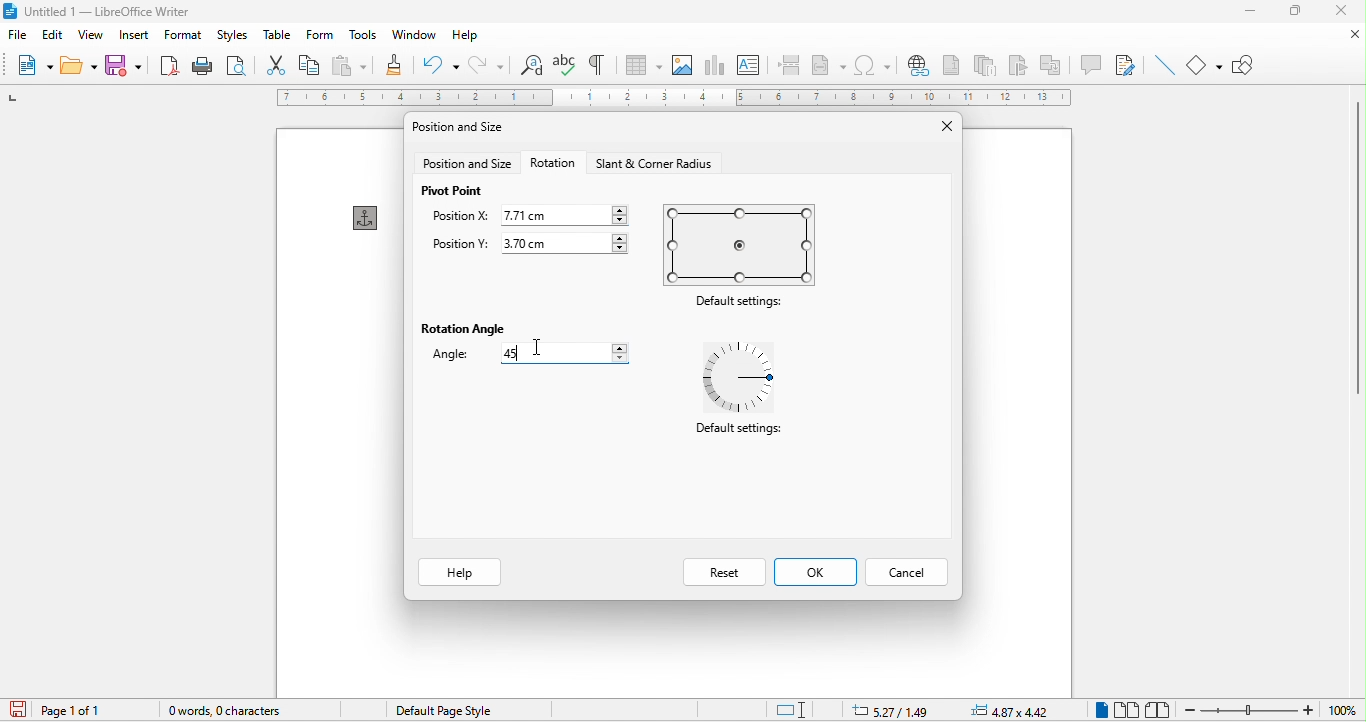 The width and height of the screenshot is (1366, 722). I want to click on table, so click(643, 65).